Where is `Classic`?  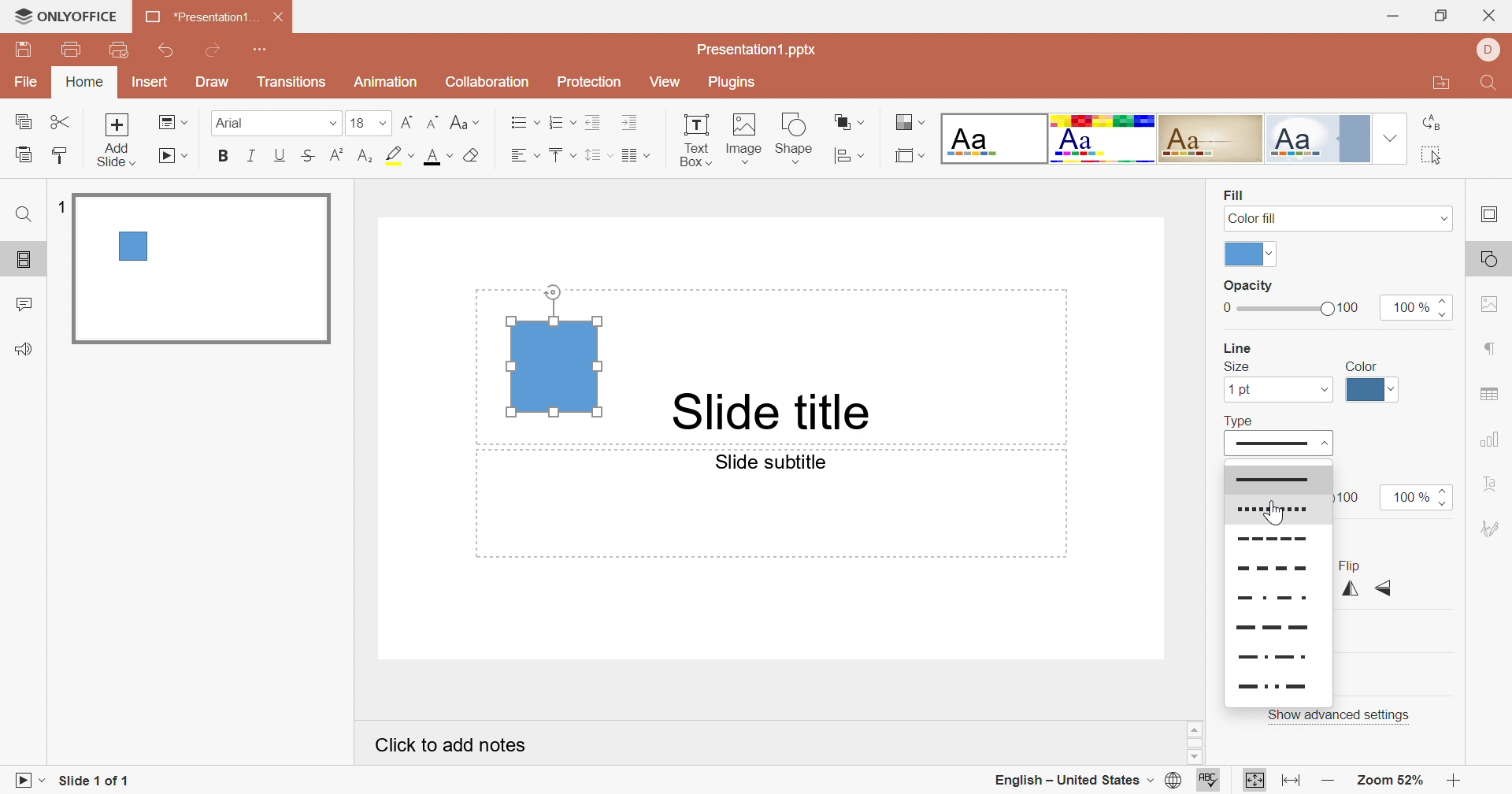
Classic is located at coordinates (1216, 139).